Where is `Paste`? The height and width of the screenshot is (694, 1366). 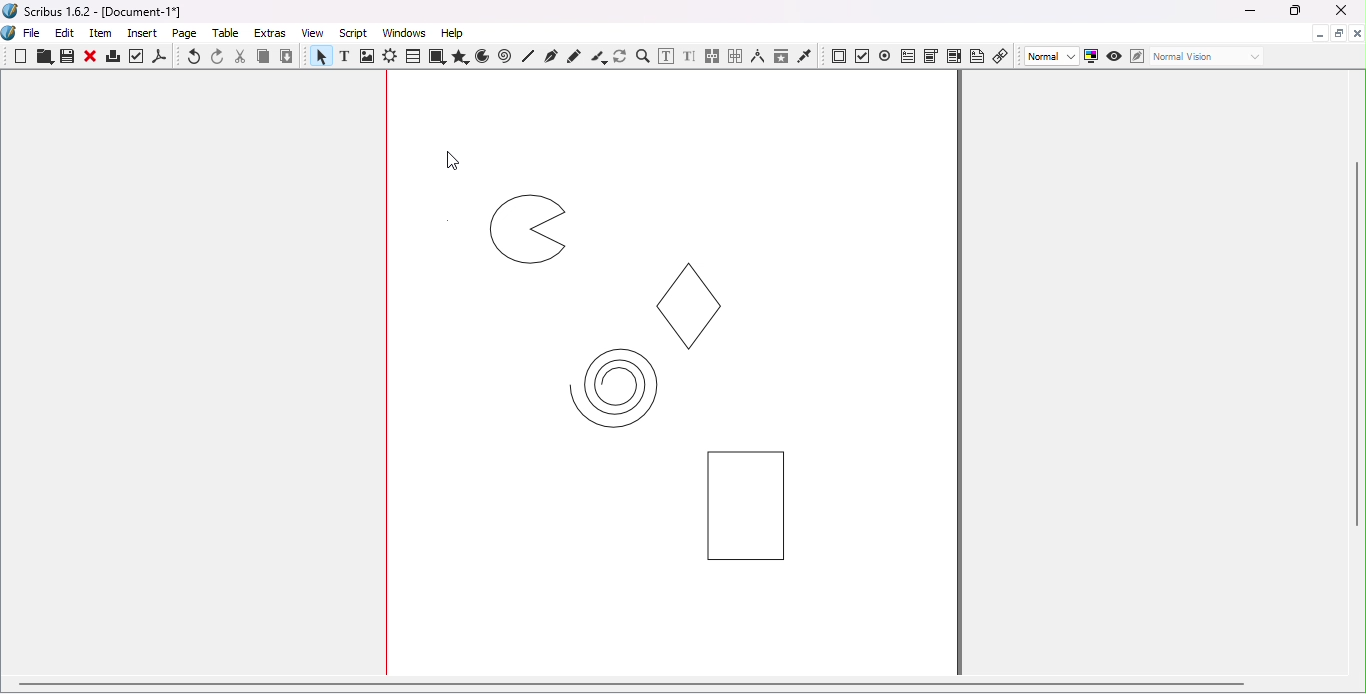 Paste is located at coordinates (287, 57).